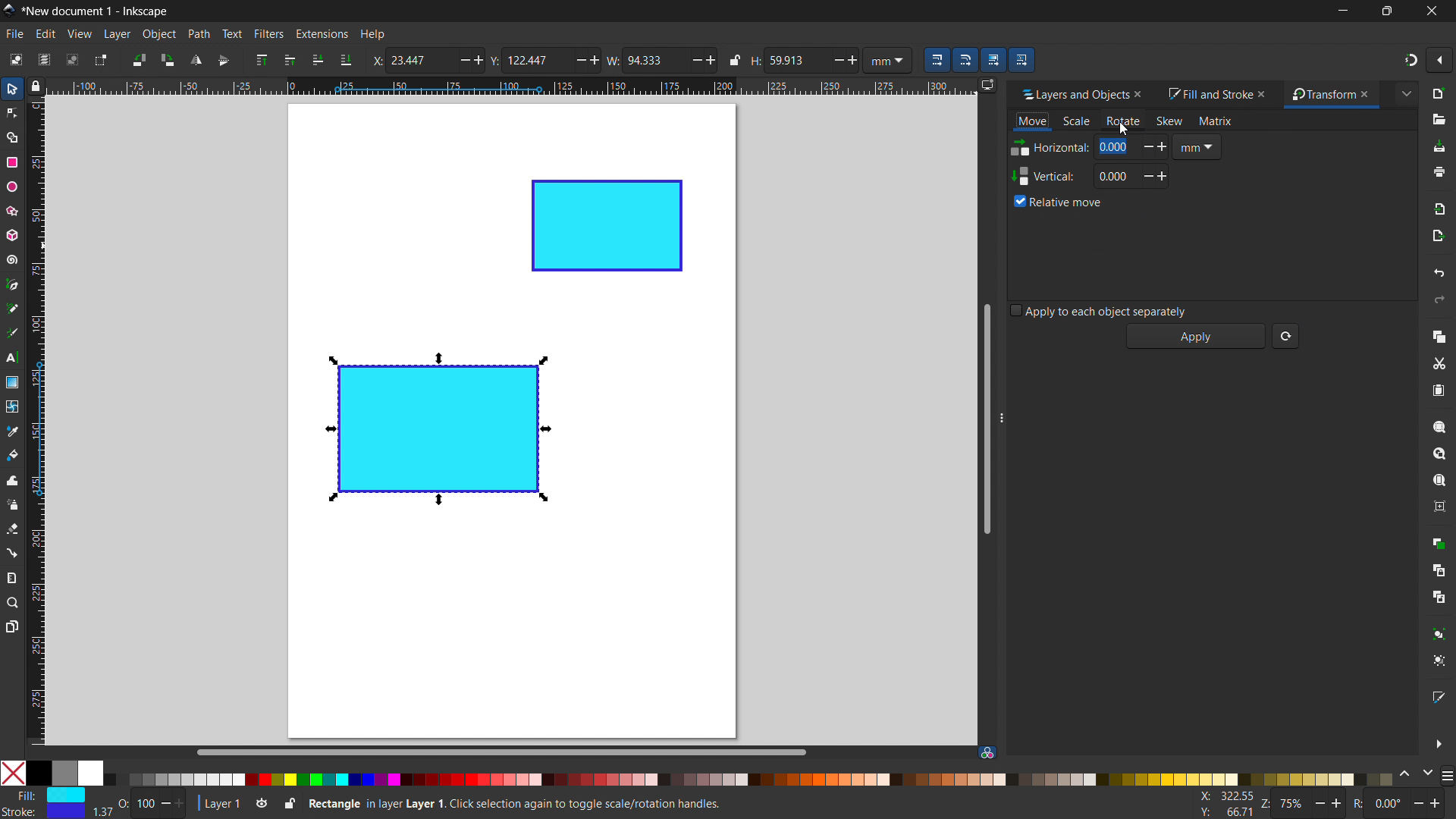  I want to click on Decrease/minus, so click(691, 59).